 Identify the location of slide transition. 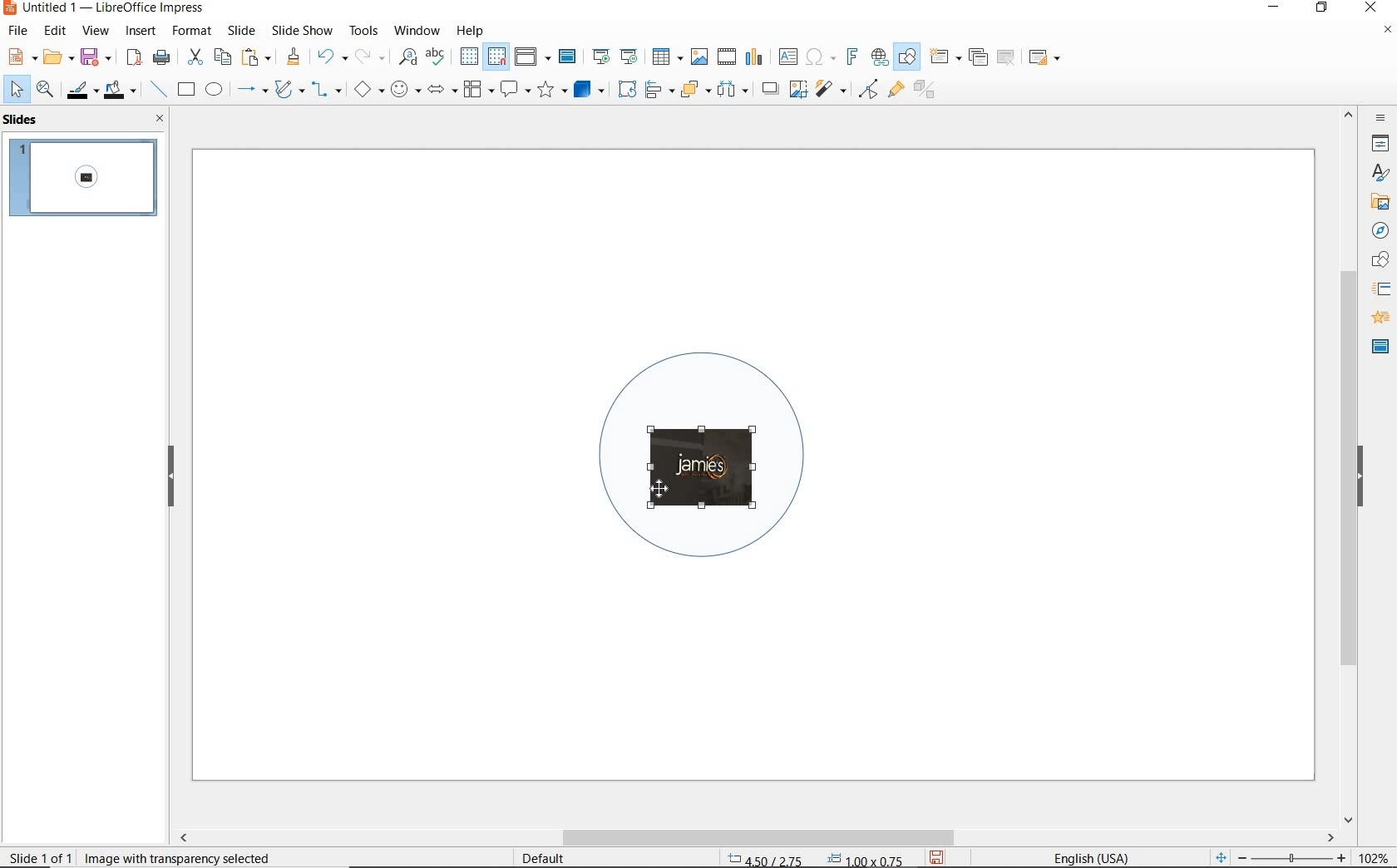
(1380, 289).